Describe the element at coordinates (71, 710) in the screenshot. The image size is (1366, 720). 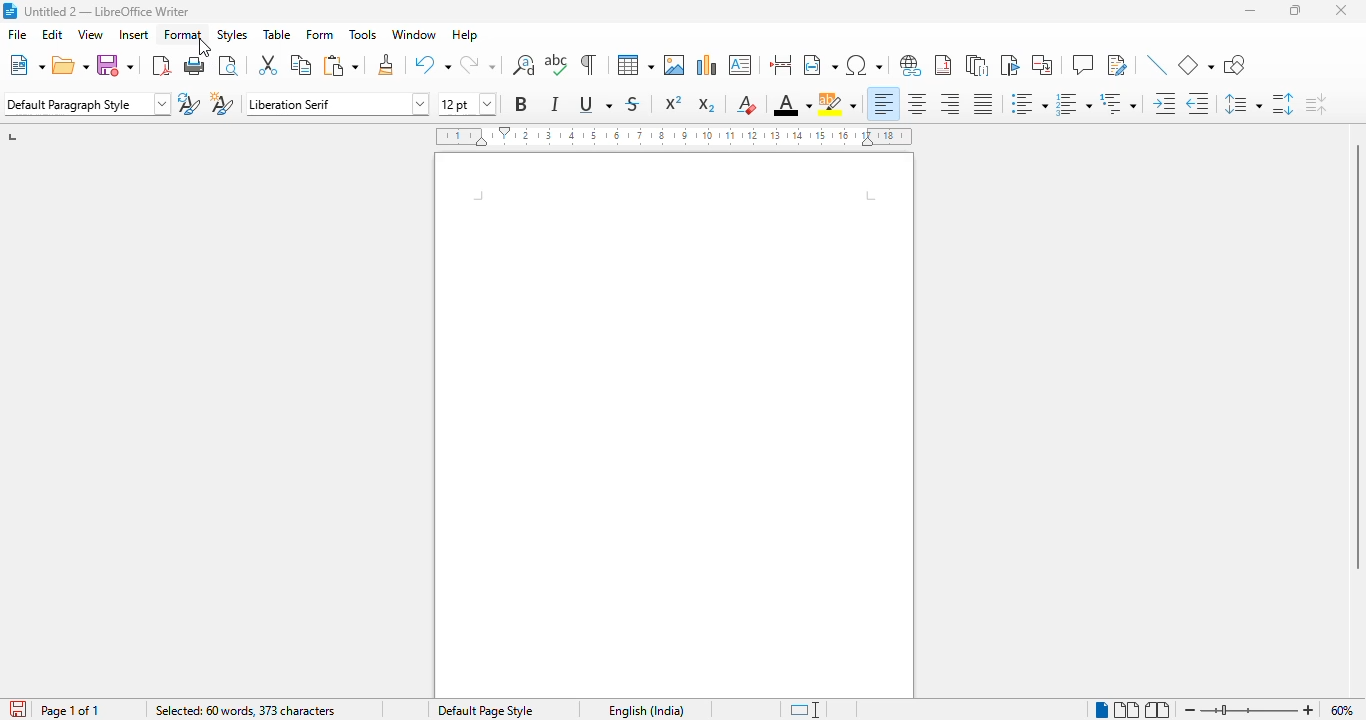
I see `page 1 of 1` at that location.